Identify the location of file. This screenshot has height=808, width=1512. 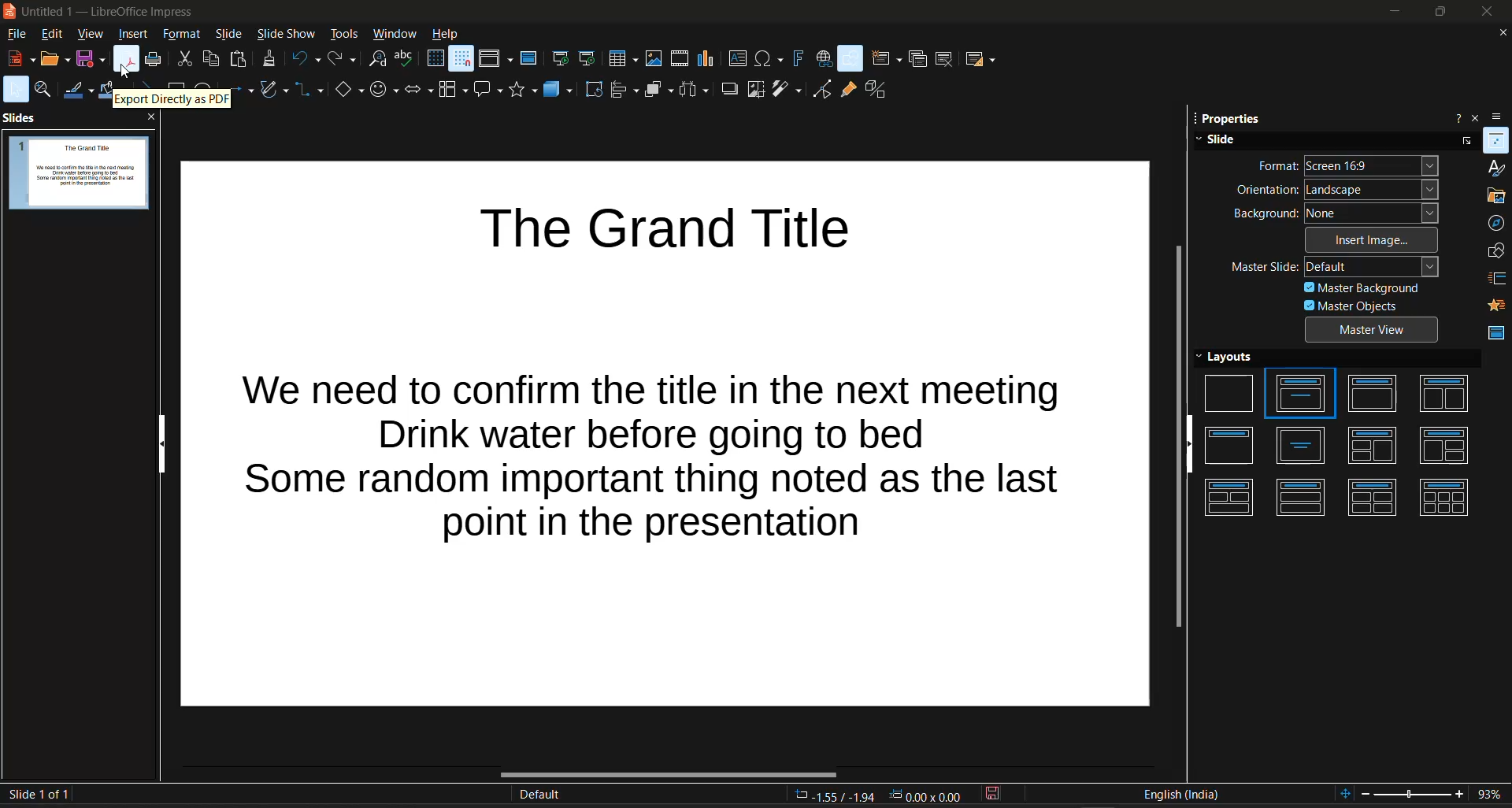
(19, 34).